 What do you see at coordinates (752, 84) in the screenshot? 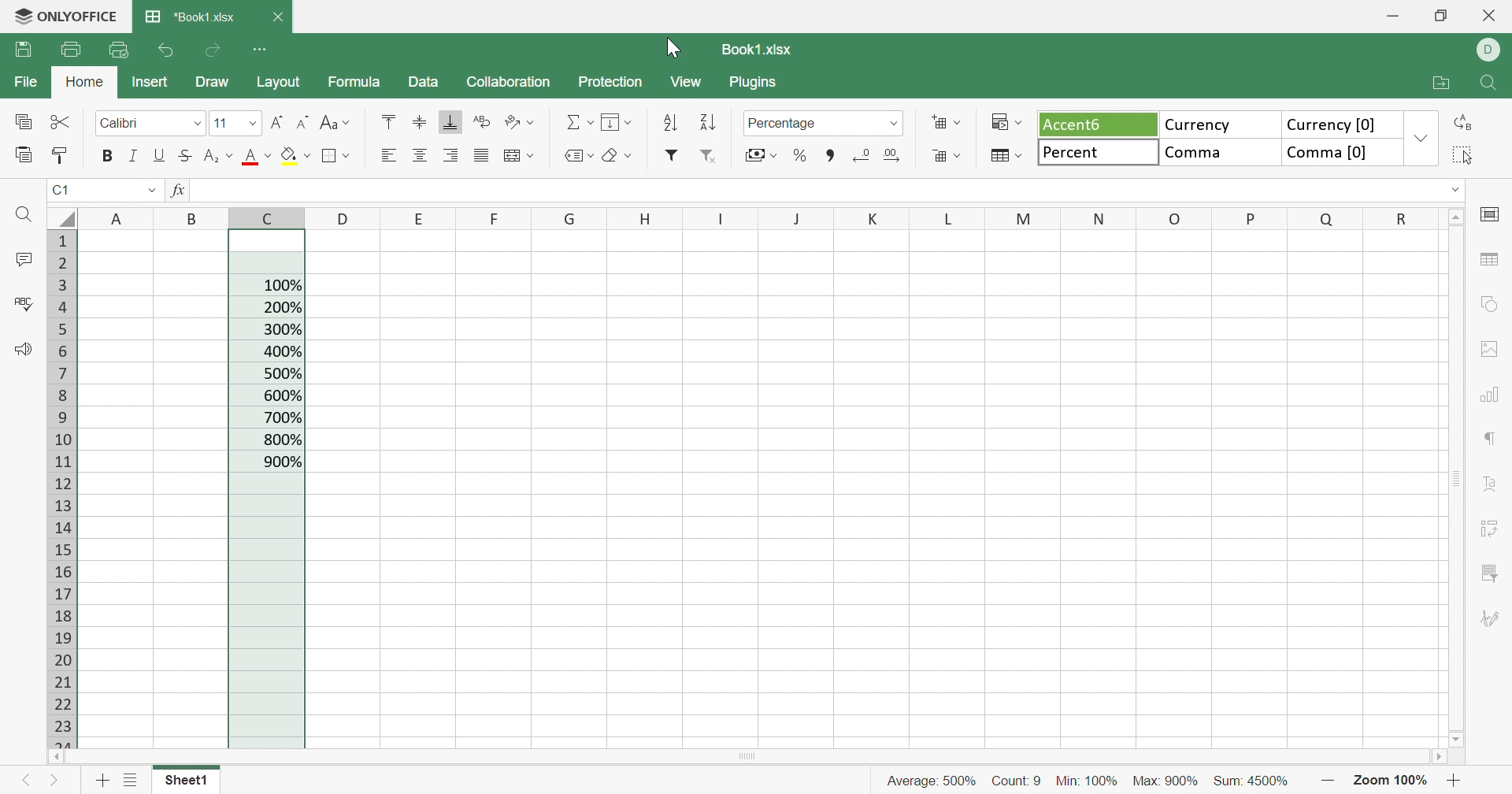
I see `Plugins` at bounding box center [752, 84].